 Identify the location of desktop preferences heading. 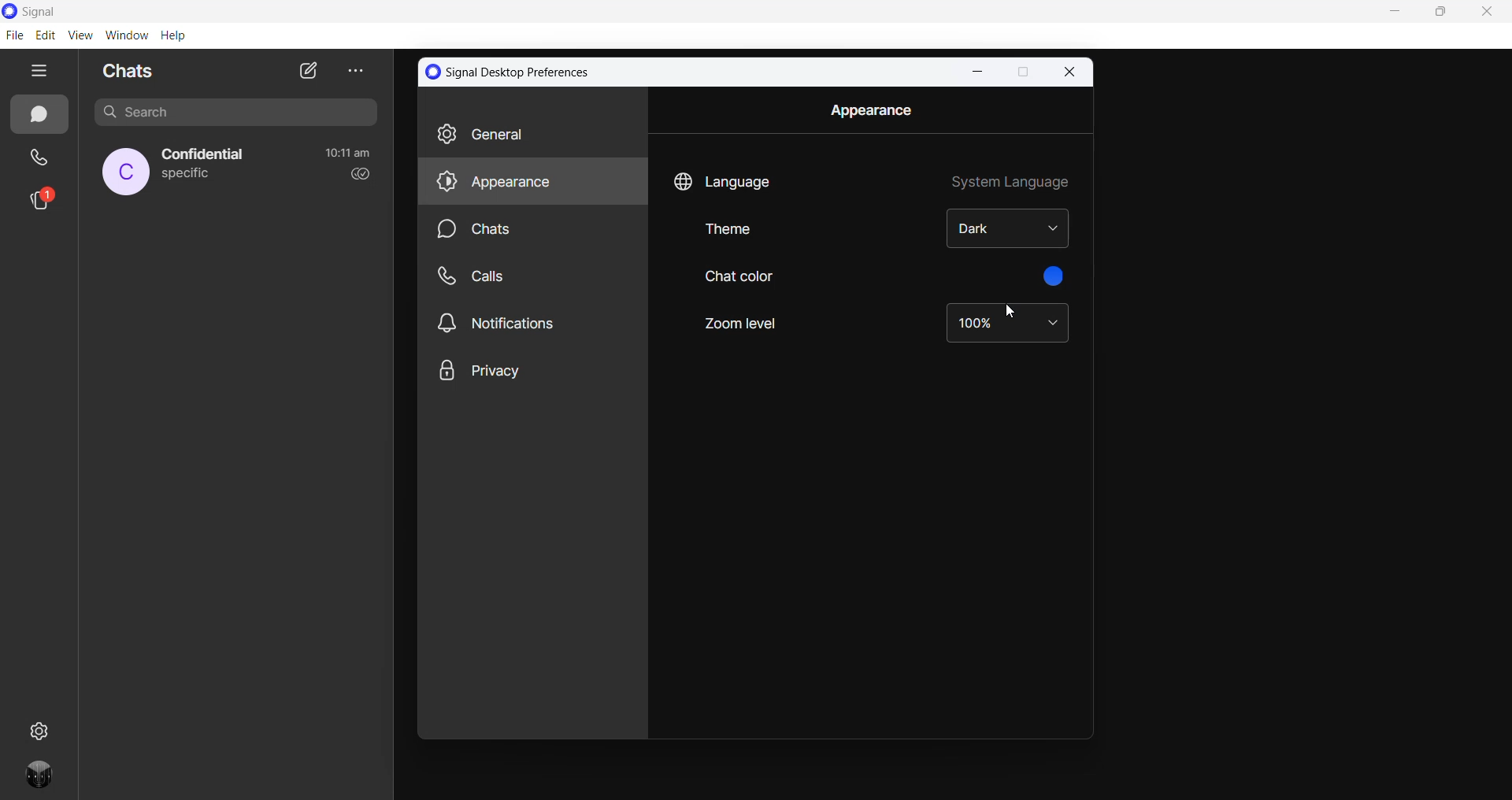
(512, 72).